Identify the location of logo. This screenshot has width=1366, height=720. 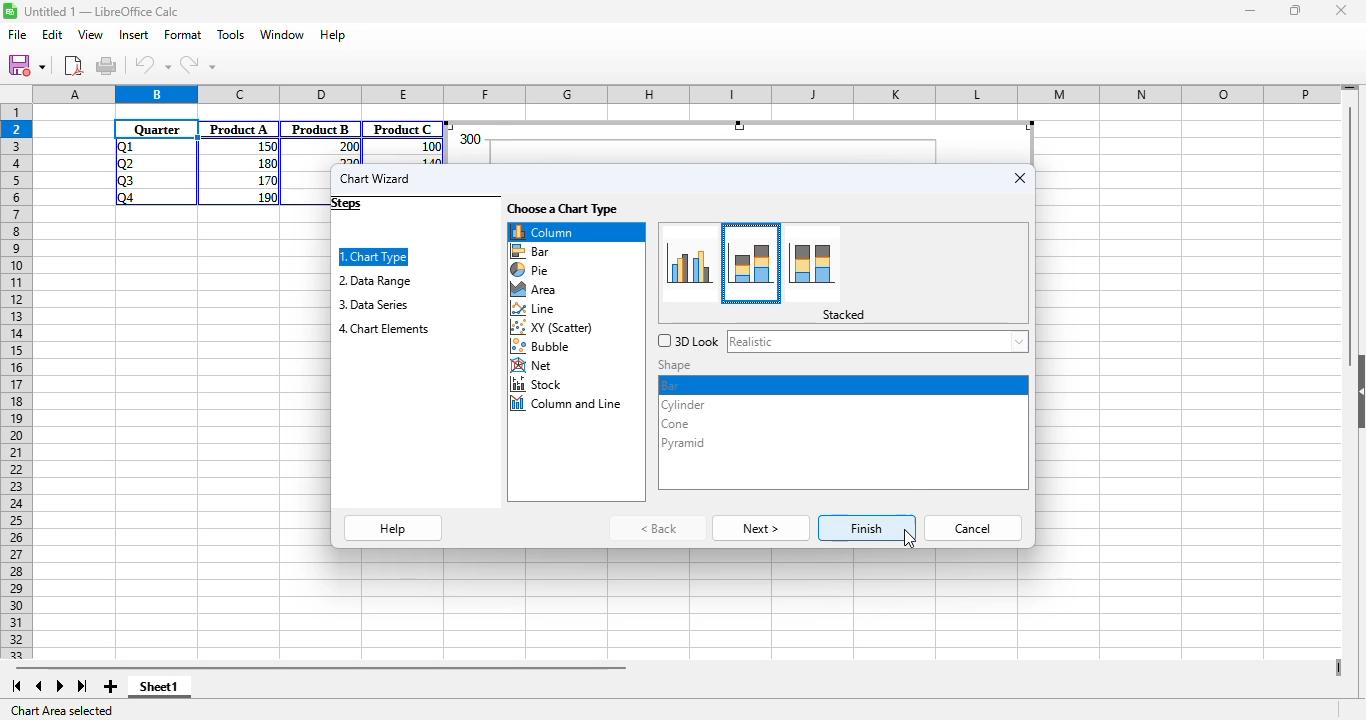
(10, 10).